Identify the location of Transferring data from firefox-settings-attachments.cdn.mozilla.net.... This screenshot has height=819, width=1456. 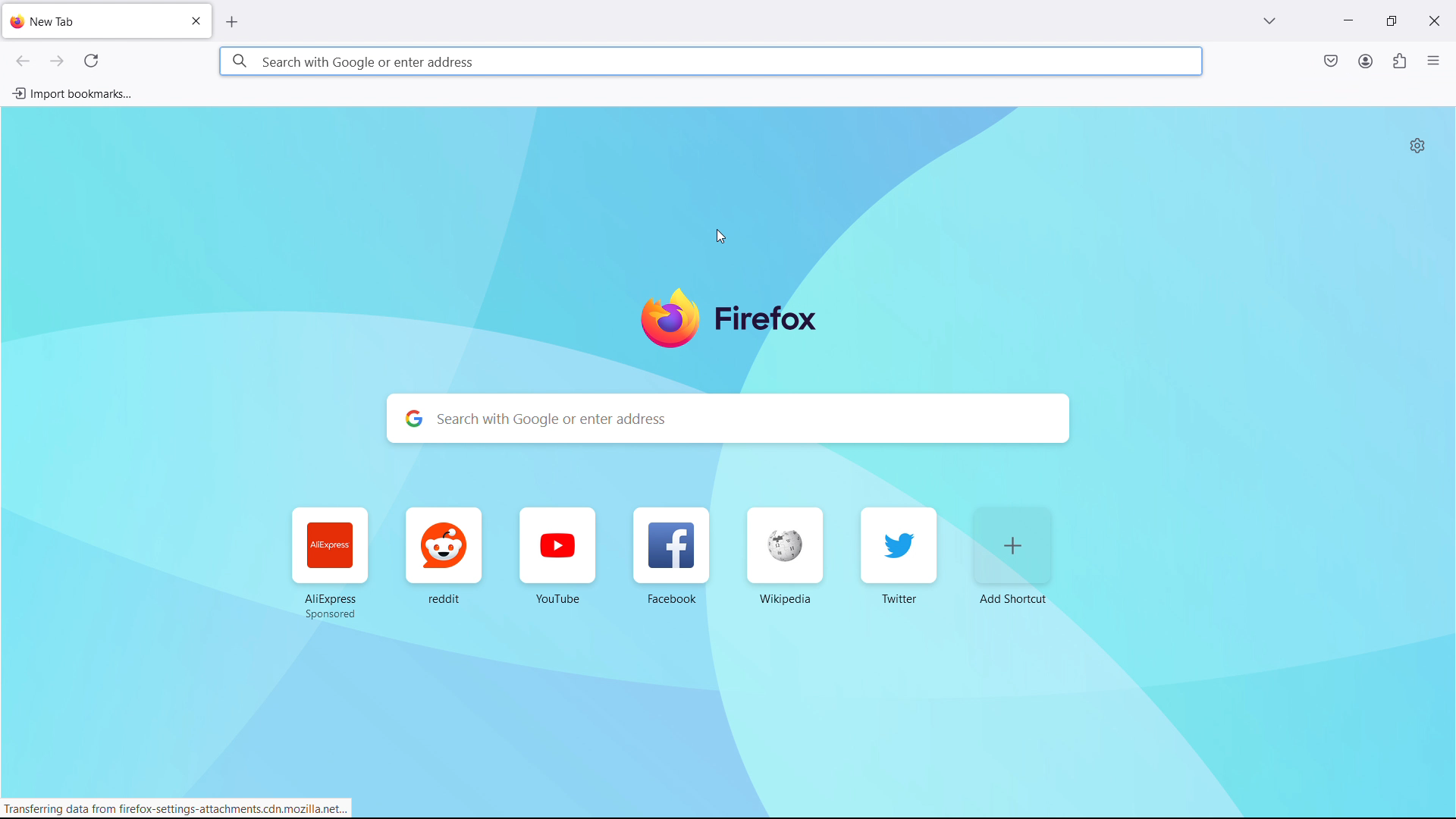
(176, 807).